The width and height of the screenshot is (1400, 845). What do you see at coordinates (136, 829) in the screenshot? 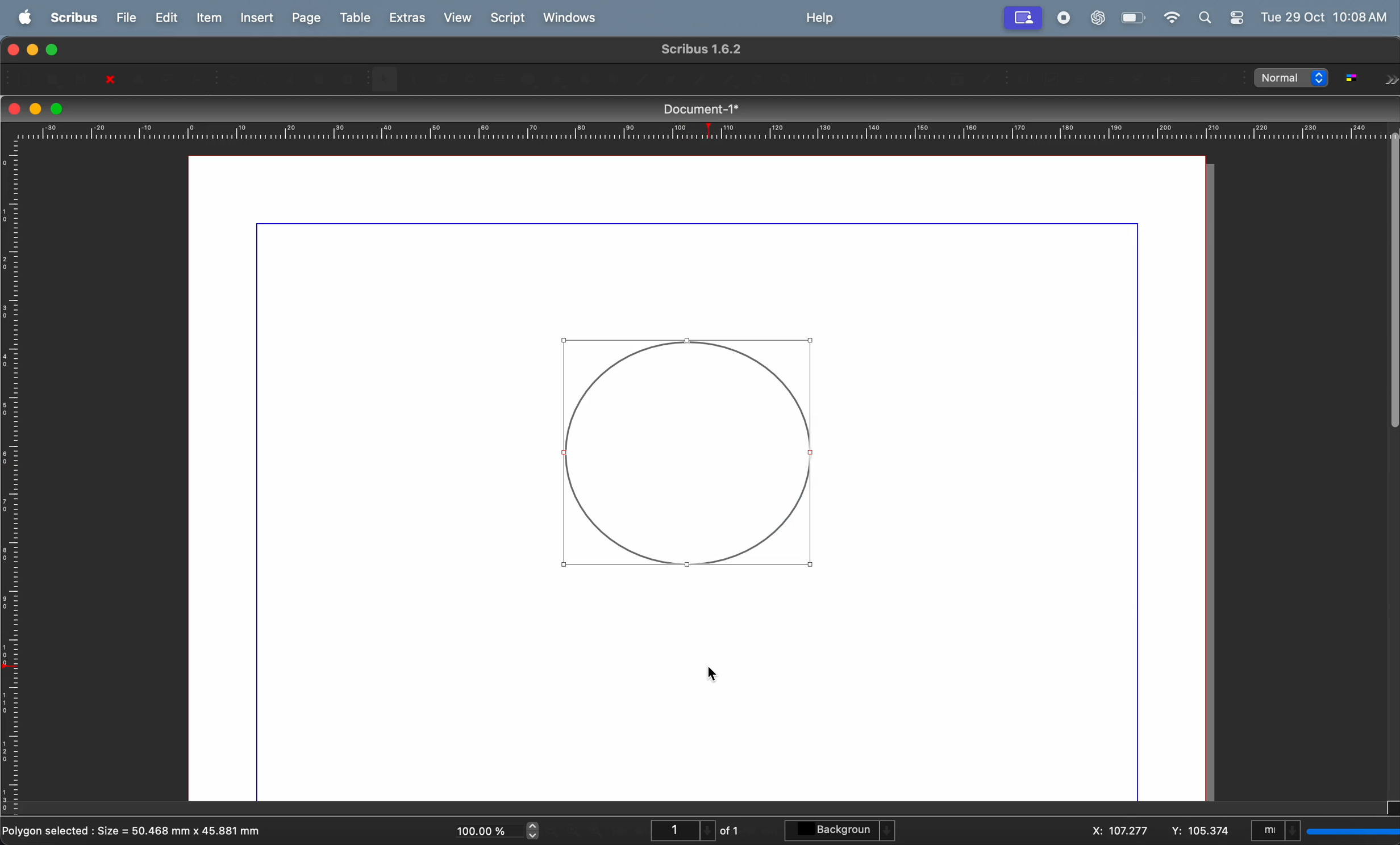
I see `polygon selected` at bounding box center [136, 829].